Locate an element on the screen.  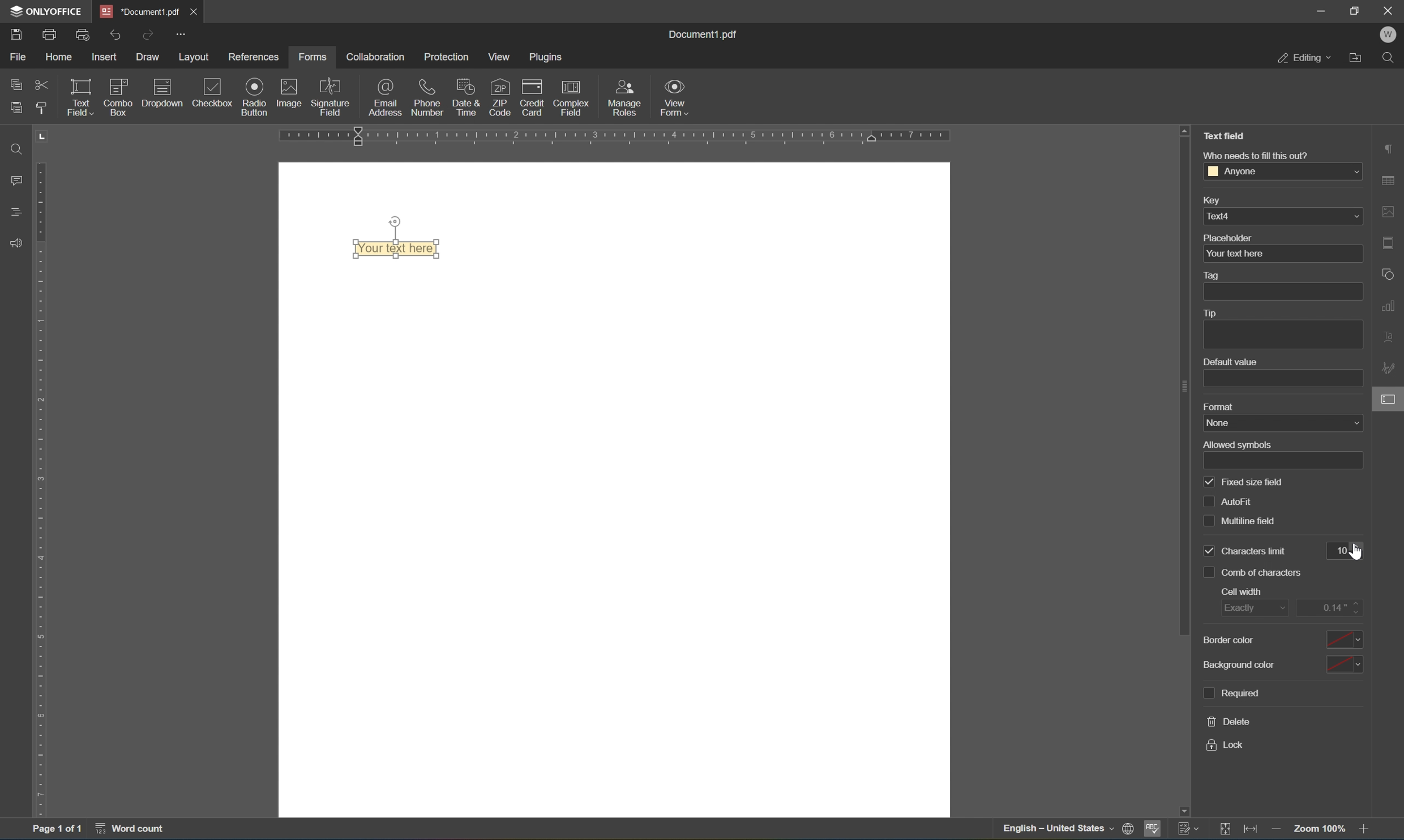
redo is located at coordinates (146, 36).